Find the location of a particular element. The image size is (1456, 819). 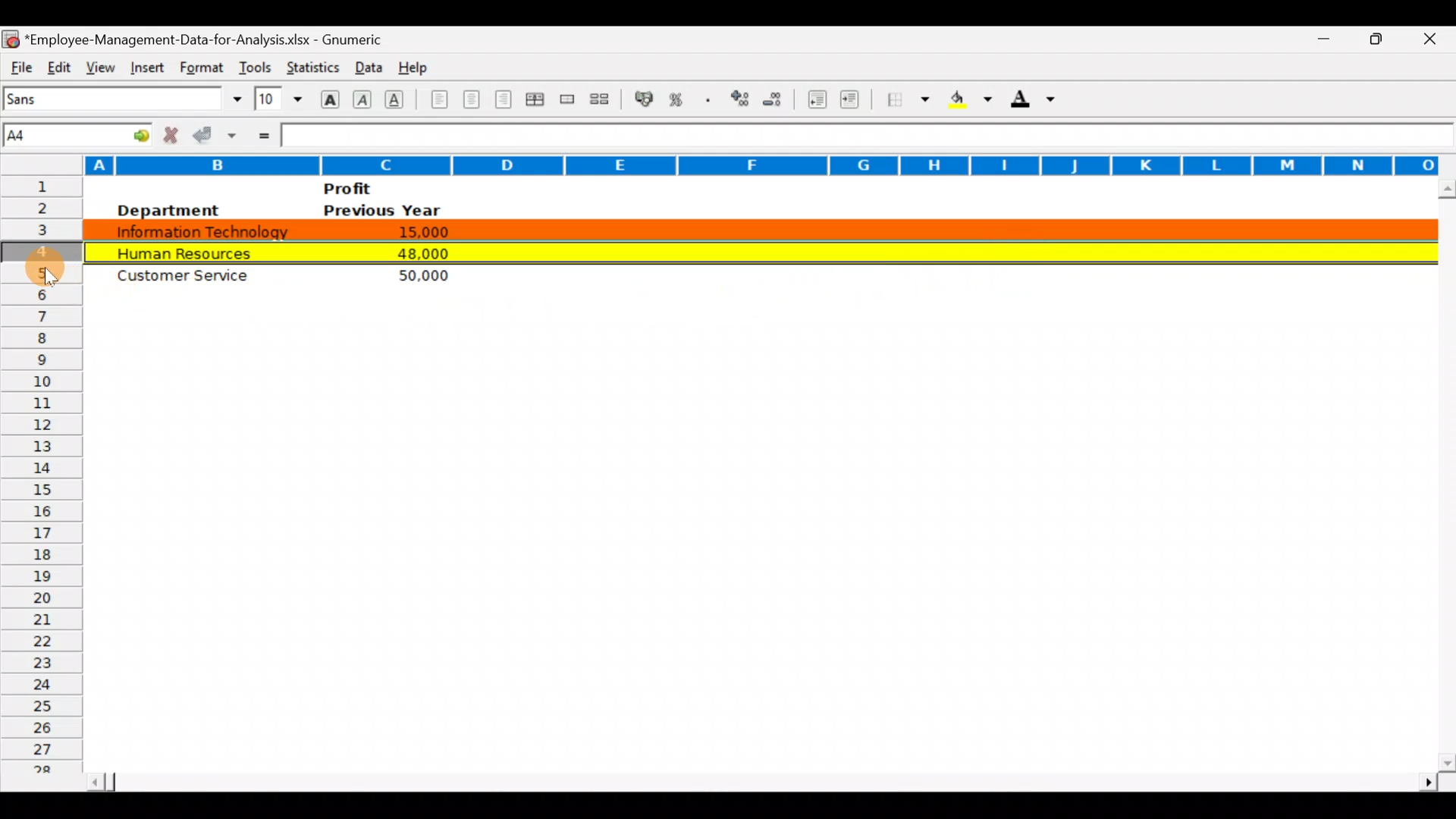

Insert is located at coordinates (145, 65).